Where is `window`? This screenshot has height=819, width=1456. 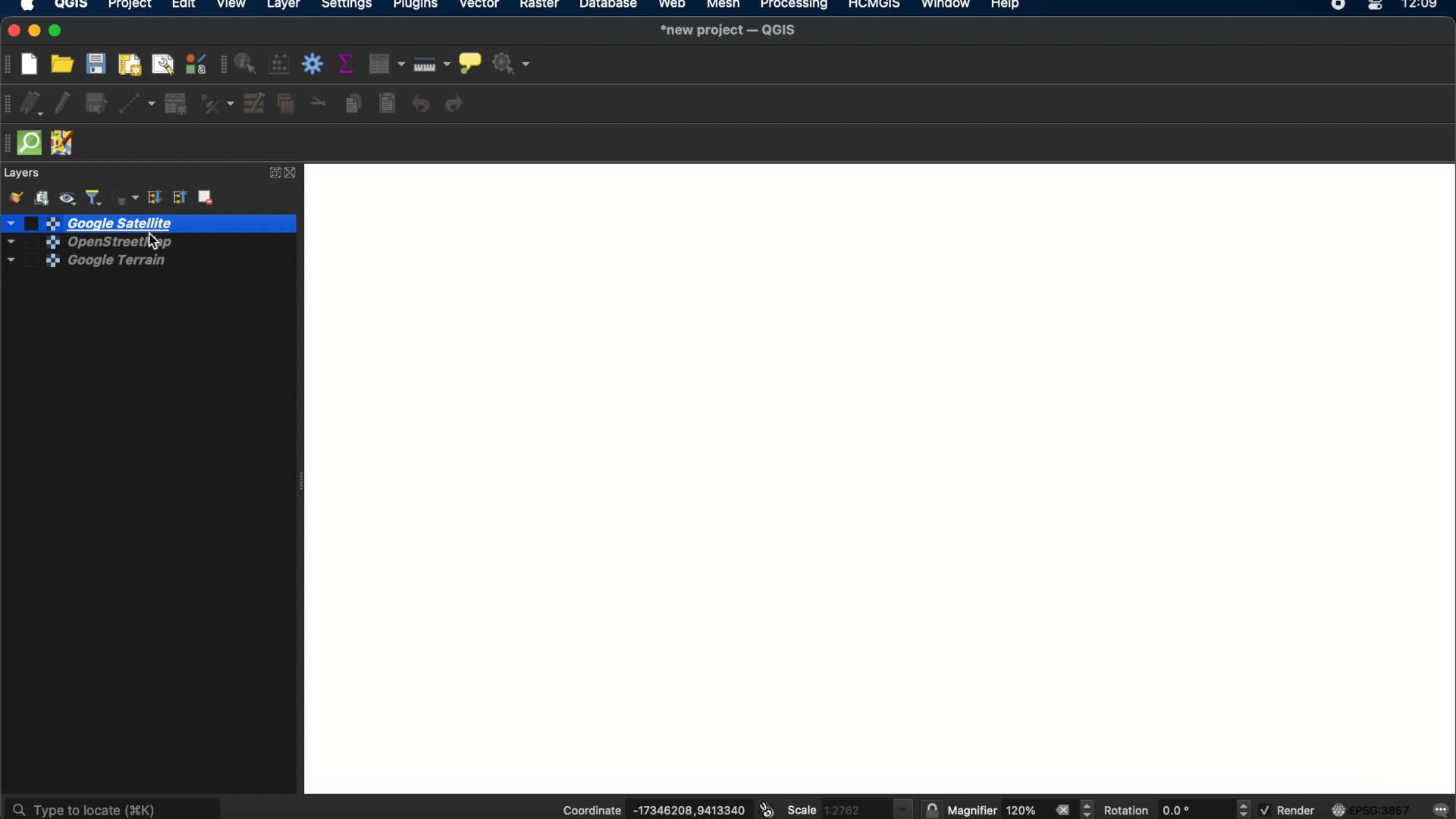 window is located at coordinates (945, 6).